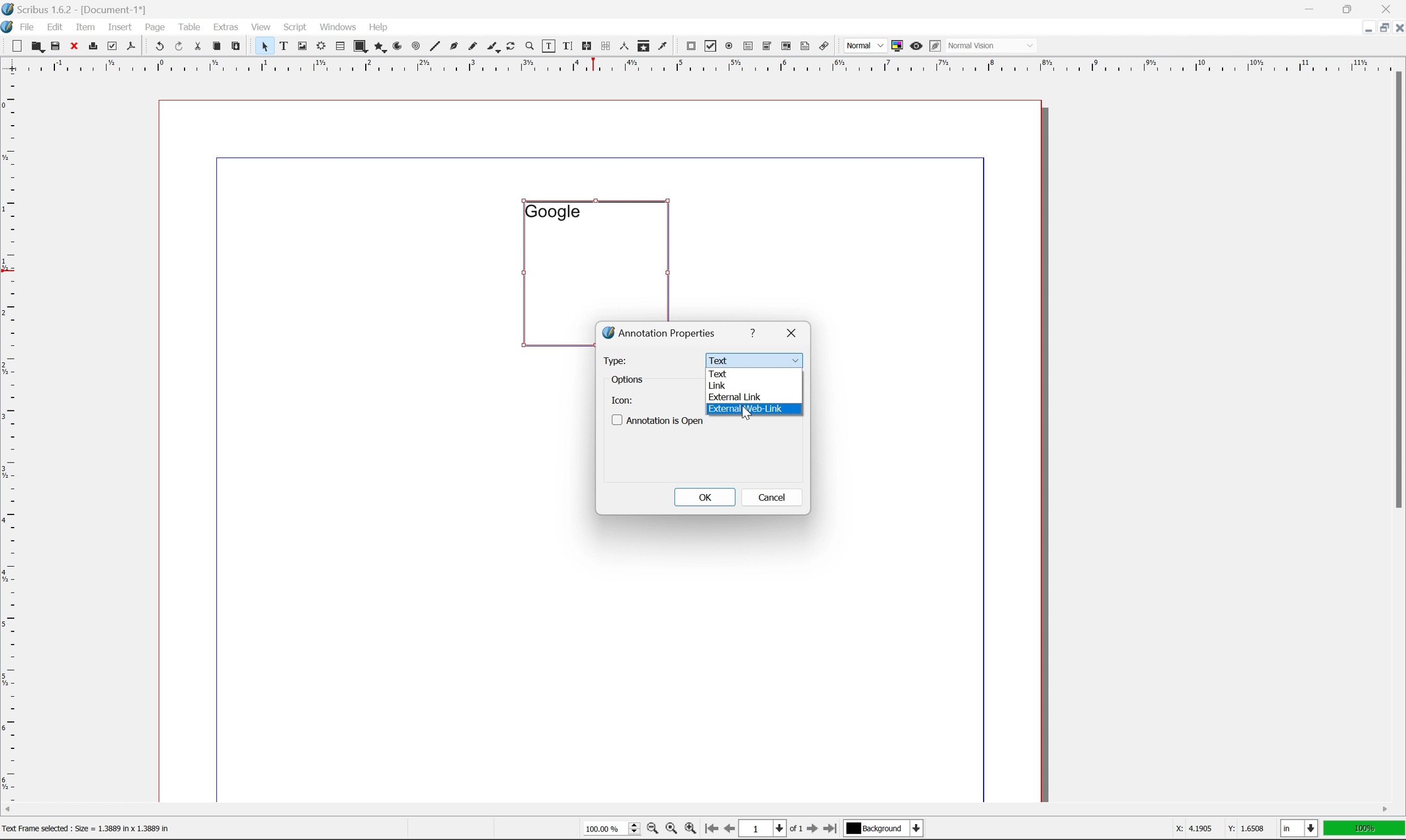 This screenshot has width=1406, height=840. What do you see at coordinates (623, 46) in the screenshot?
I see `measurements` at bounding box center [623, 46].